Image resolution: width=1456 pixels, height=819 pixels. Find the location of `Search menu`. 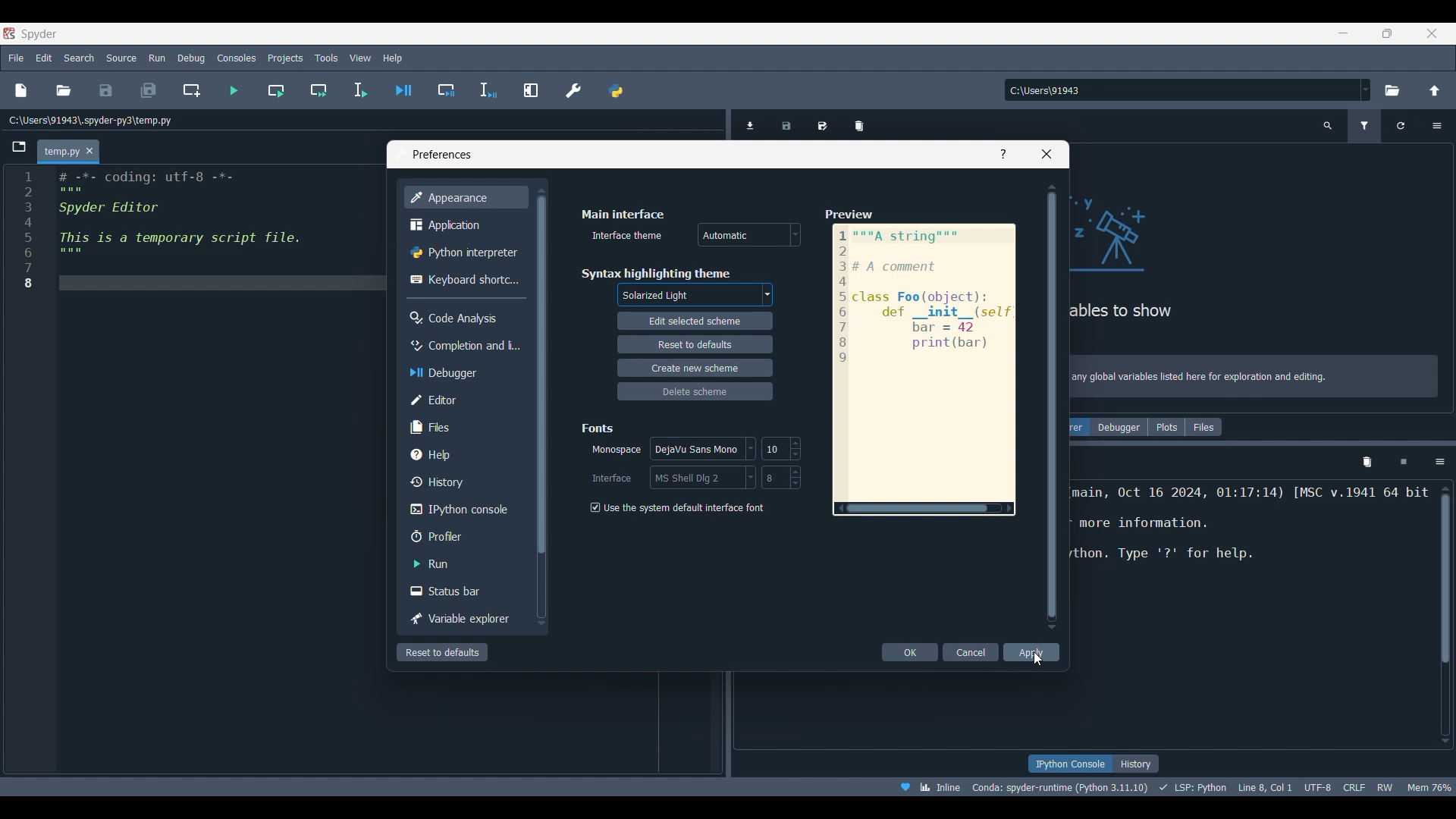

Search menu is located at coordinates (80, 58).